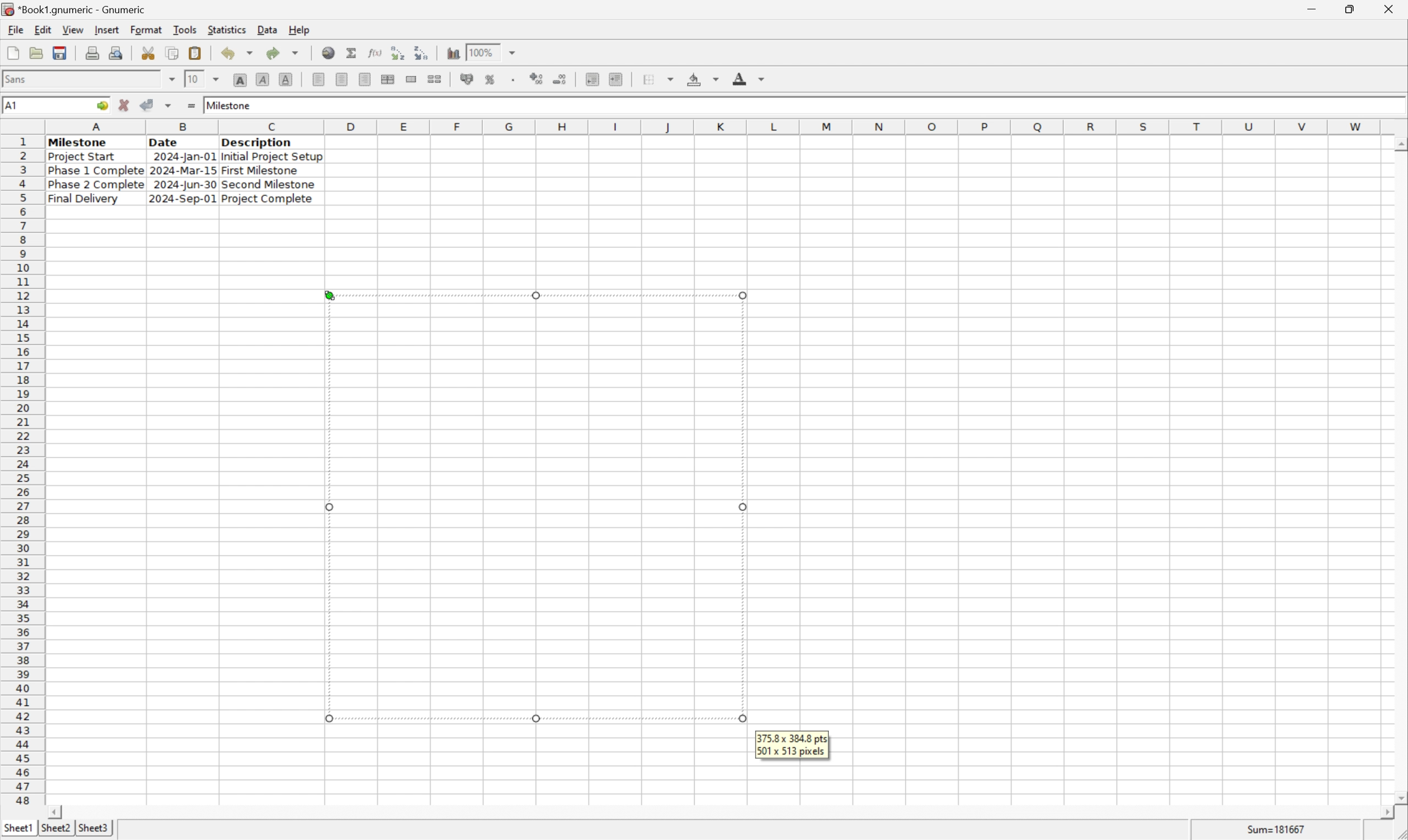 Image resolution: width=1408 pixels, height=840 pixels. Describe the element at coordinates (174, 53) in the screenshot. I see `copy from selection` at that location.